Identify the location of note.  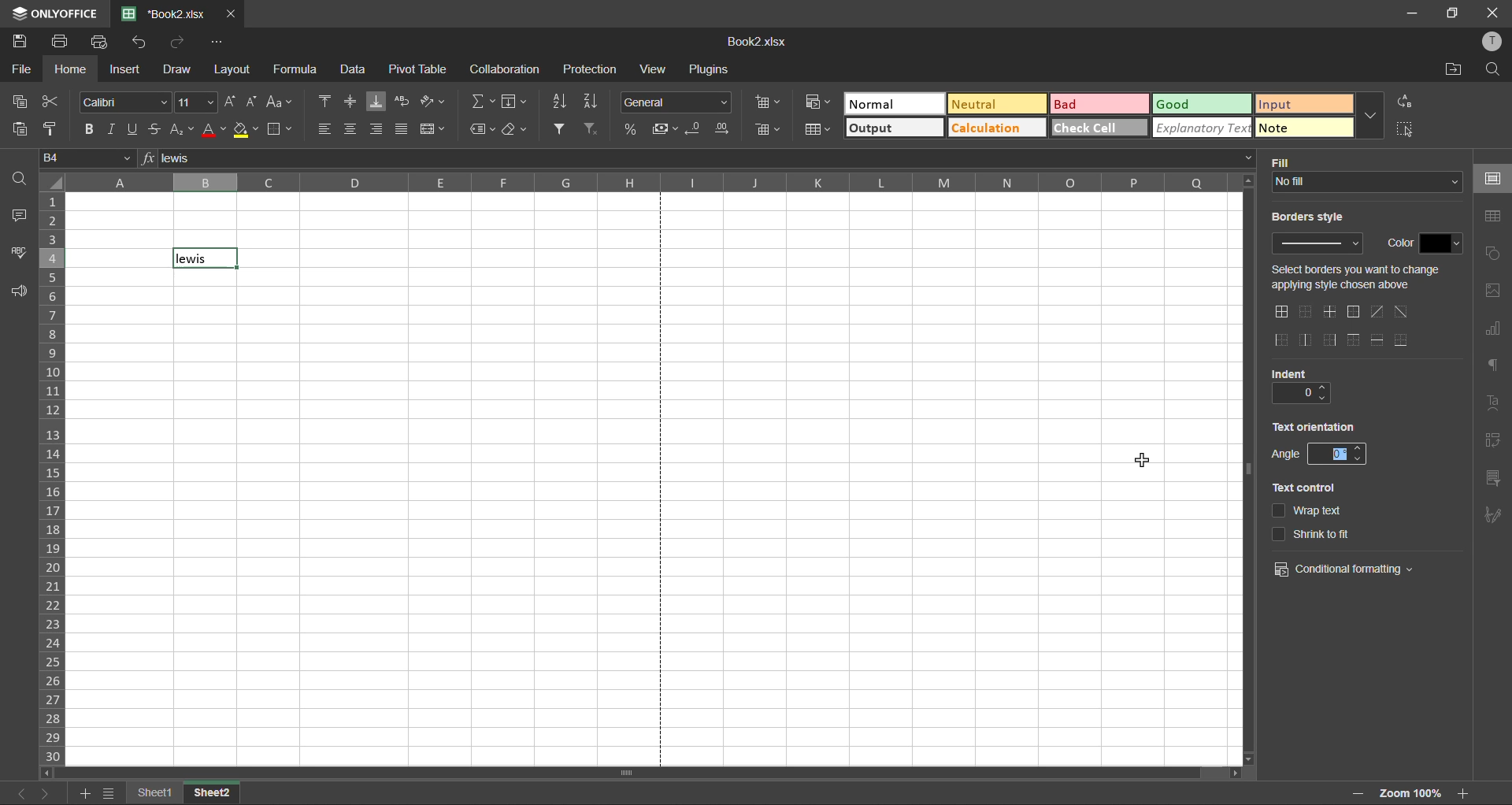
(1302, 129).